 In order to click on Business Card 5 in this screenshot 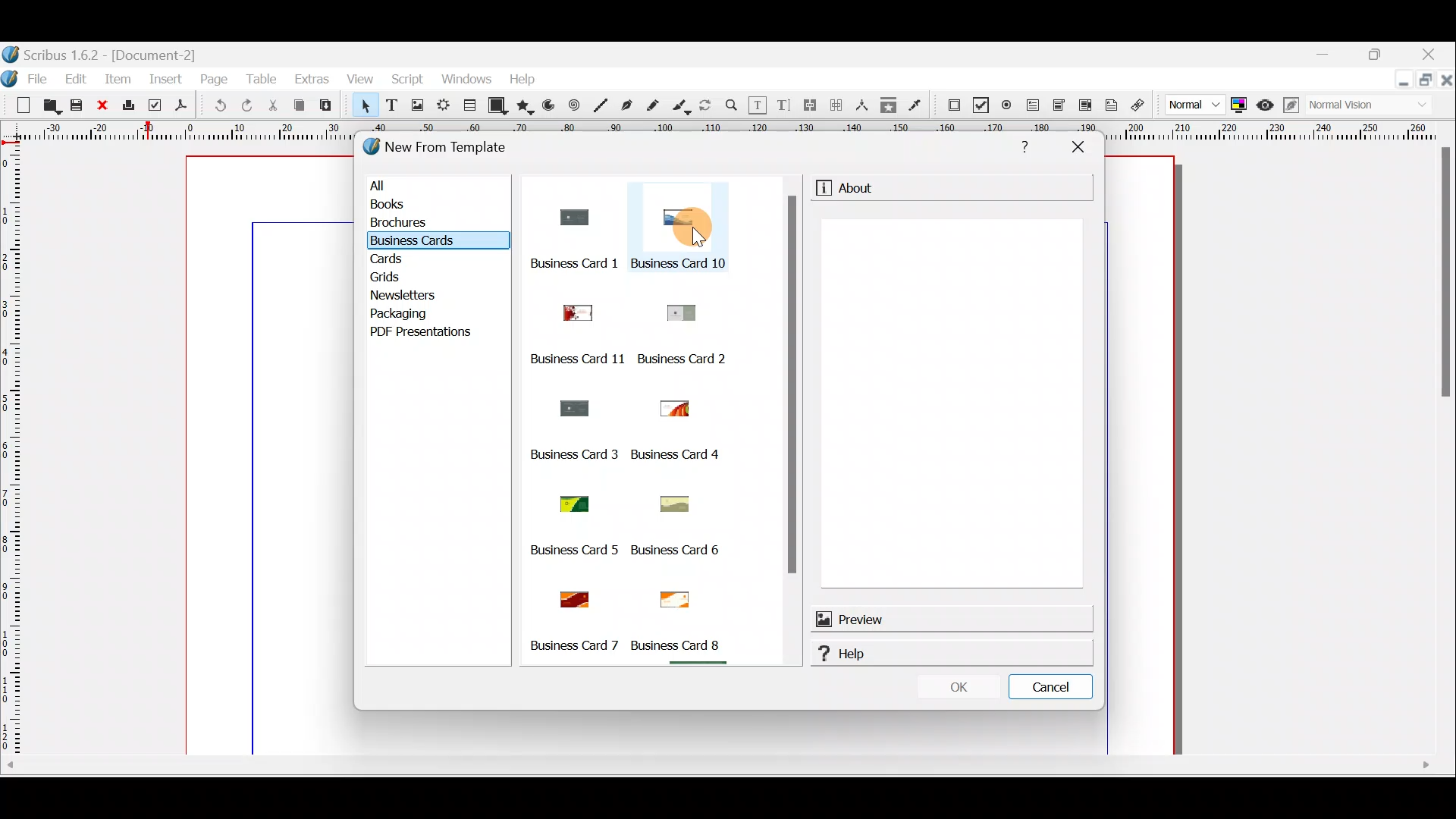, I will do `click(573, 551)`.